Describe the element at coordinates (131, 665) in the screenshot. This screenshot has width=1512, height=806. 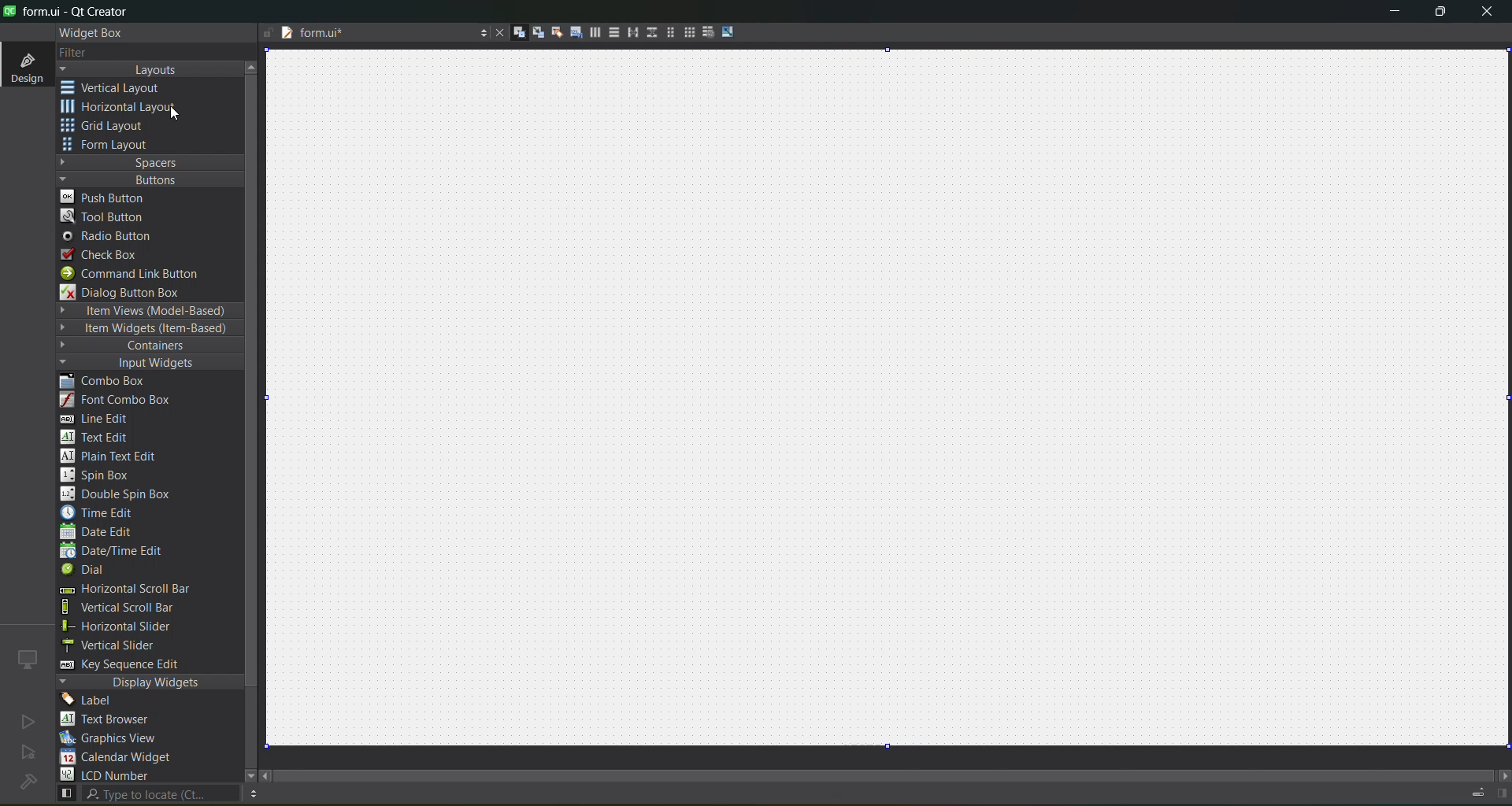
I see `key sequence edit` at that location.